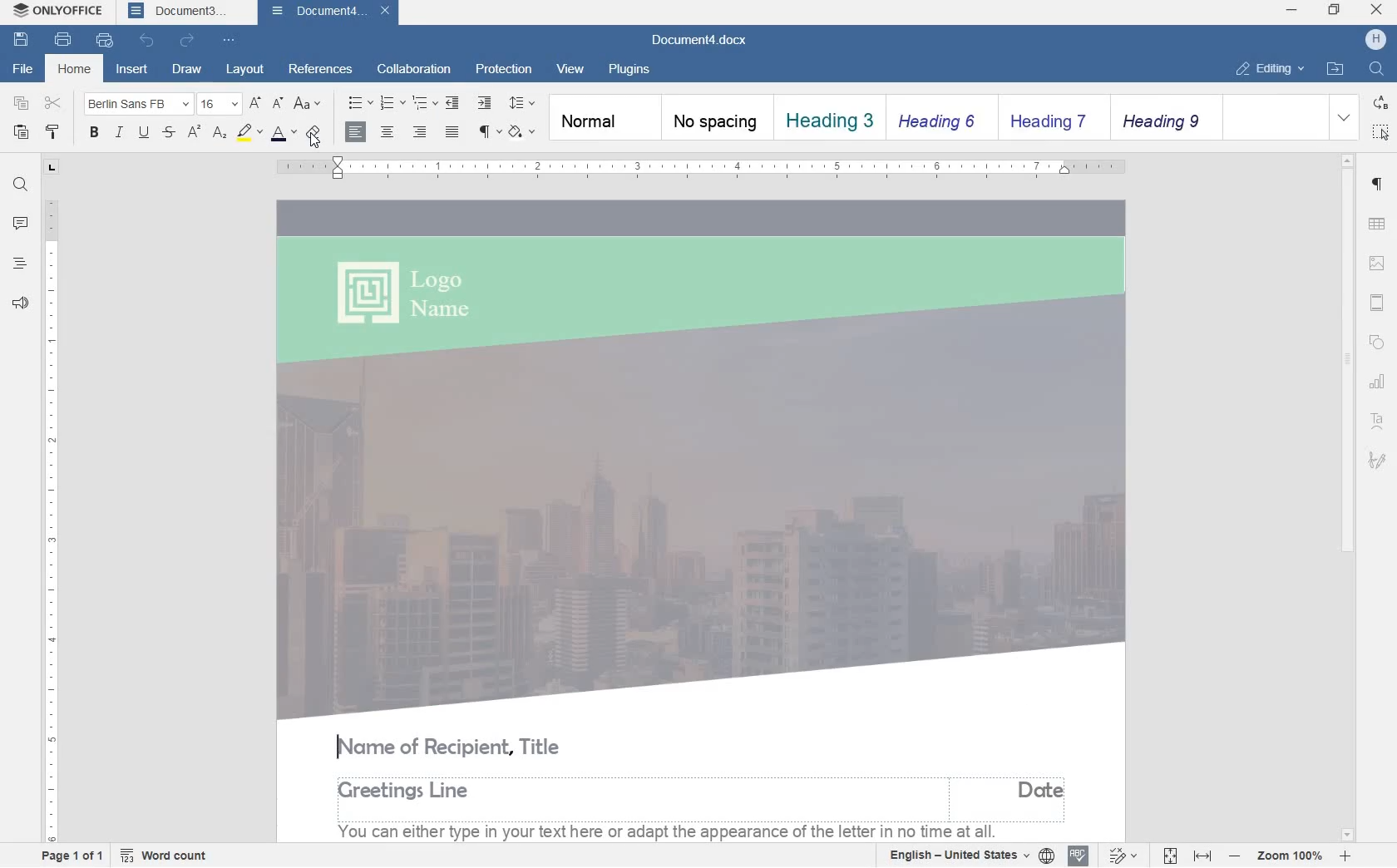 The height and width of the screenshot is (868, 1397). Describe the element at coordinates (708, 168) in the screenshot. I see `ruler` at that location.